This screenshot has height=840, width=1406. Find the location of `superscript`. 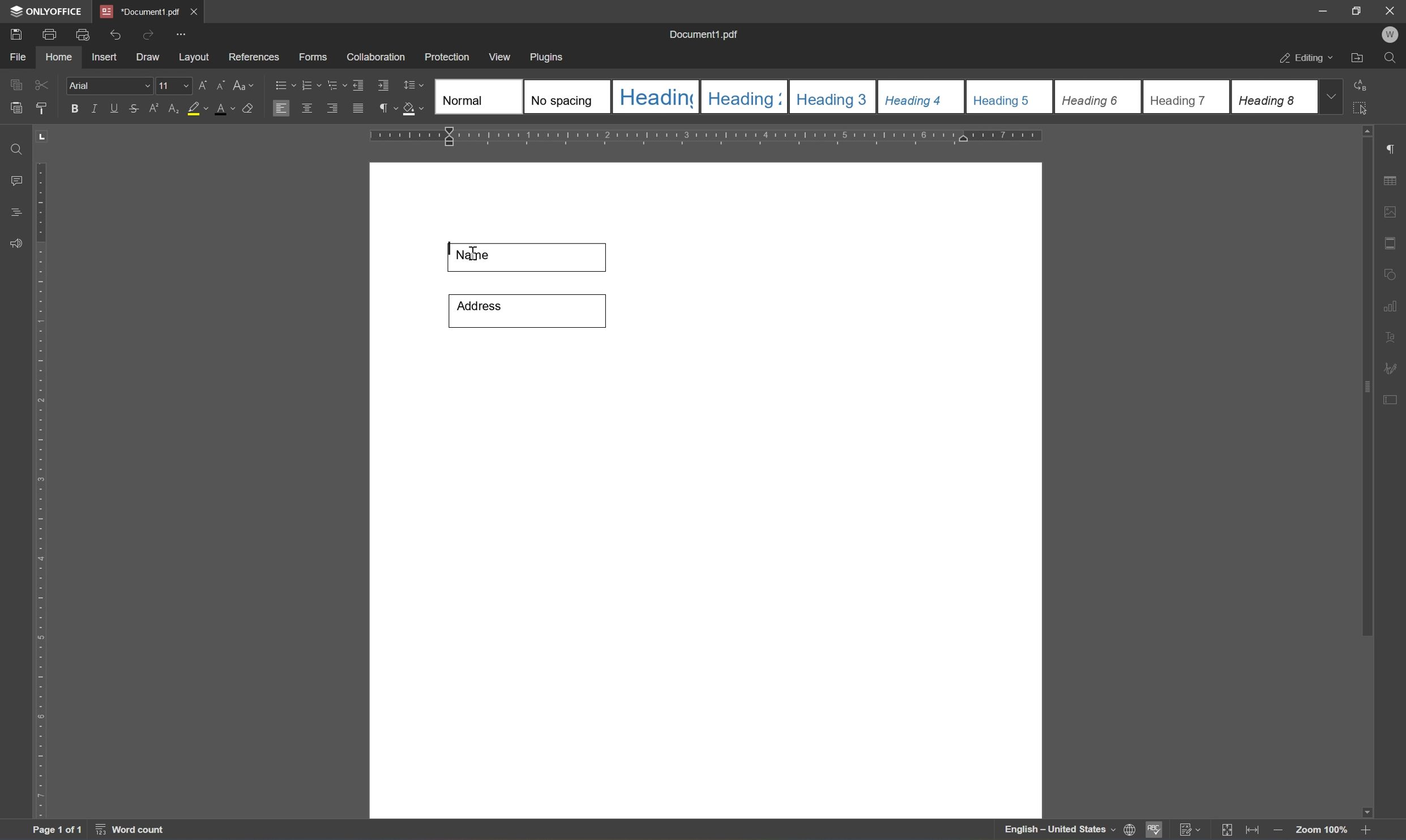

superscript is located at coordinates (153, 110).